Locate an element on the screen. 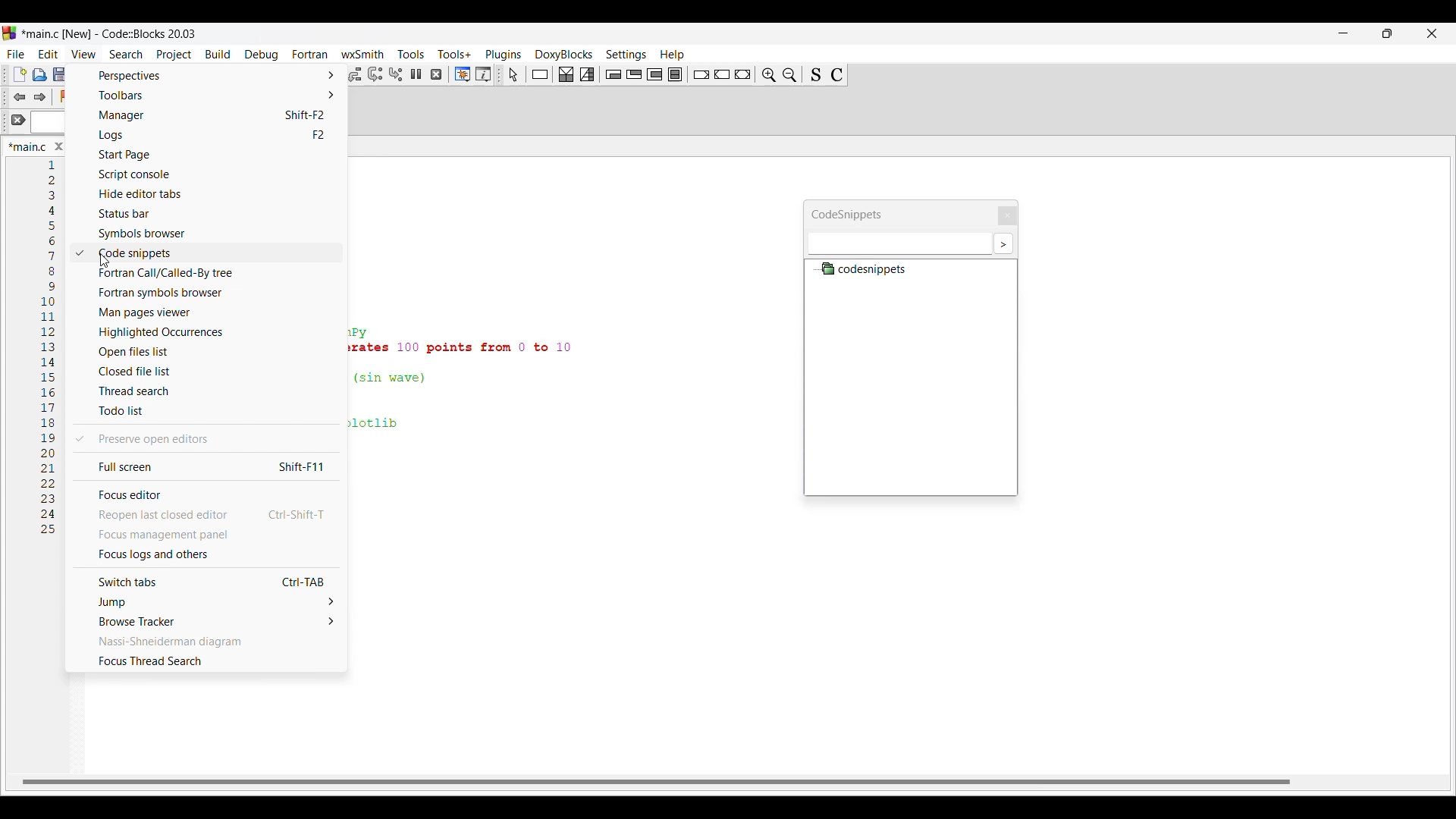  Focus thread search is located at coordinates (207, 661).